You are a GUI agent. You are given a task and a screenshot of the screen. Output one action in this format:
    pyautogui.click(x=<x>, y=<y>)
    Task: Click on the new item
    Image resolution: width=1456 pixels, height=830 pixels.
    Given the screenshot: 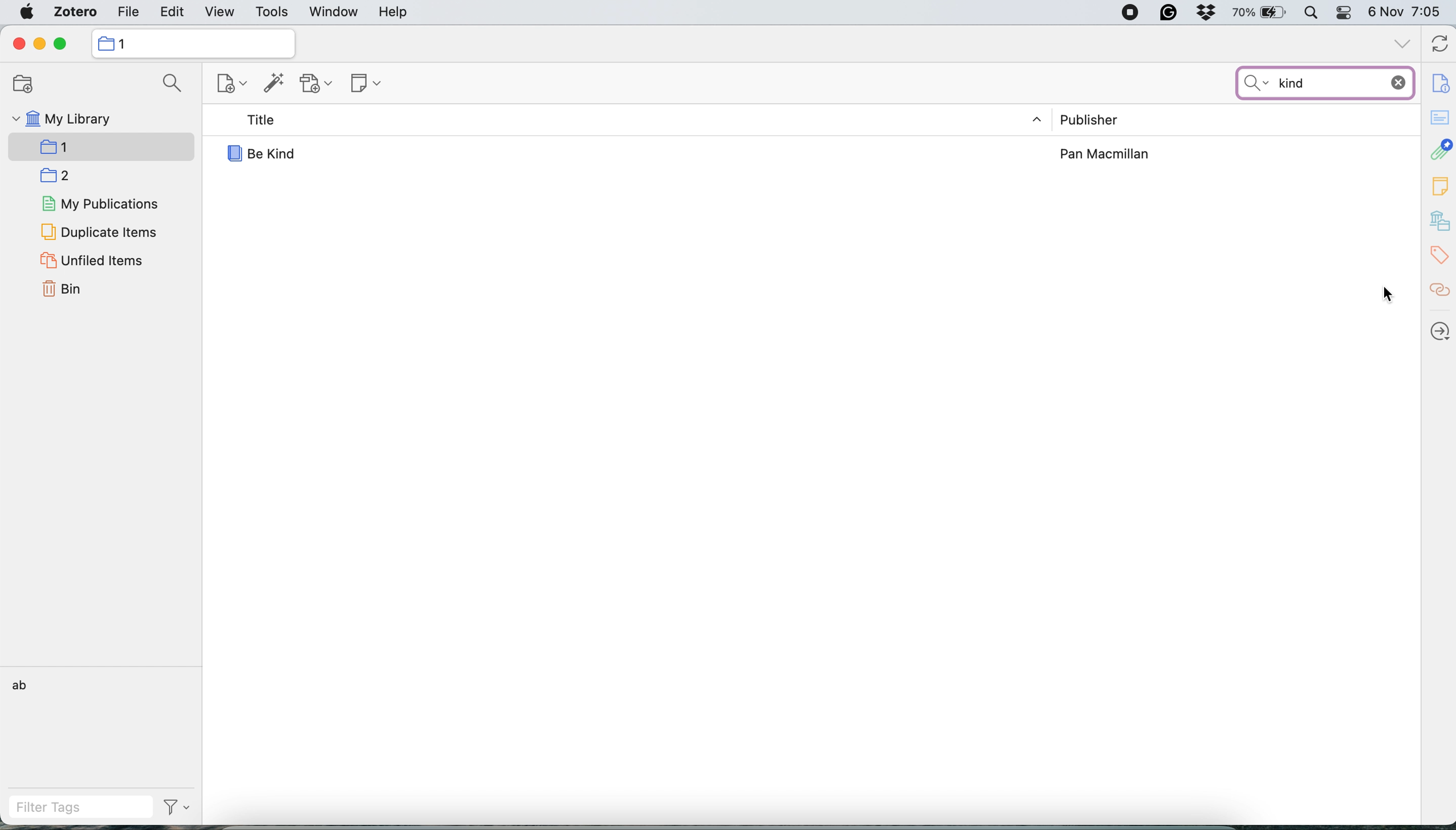 What is the action you would take?
    pyautogui.click(x=233, y=85)
    